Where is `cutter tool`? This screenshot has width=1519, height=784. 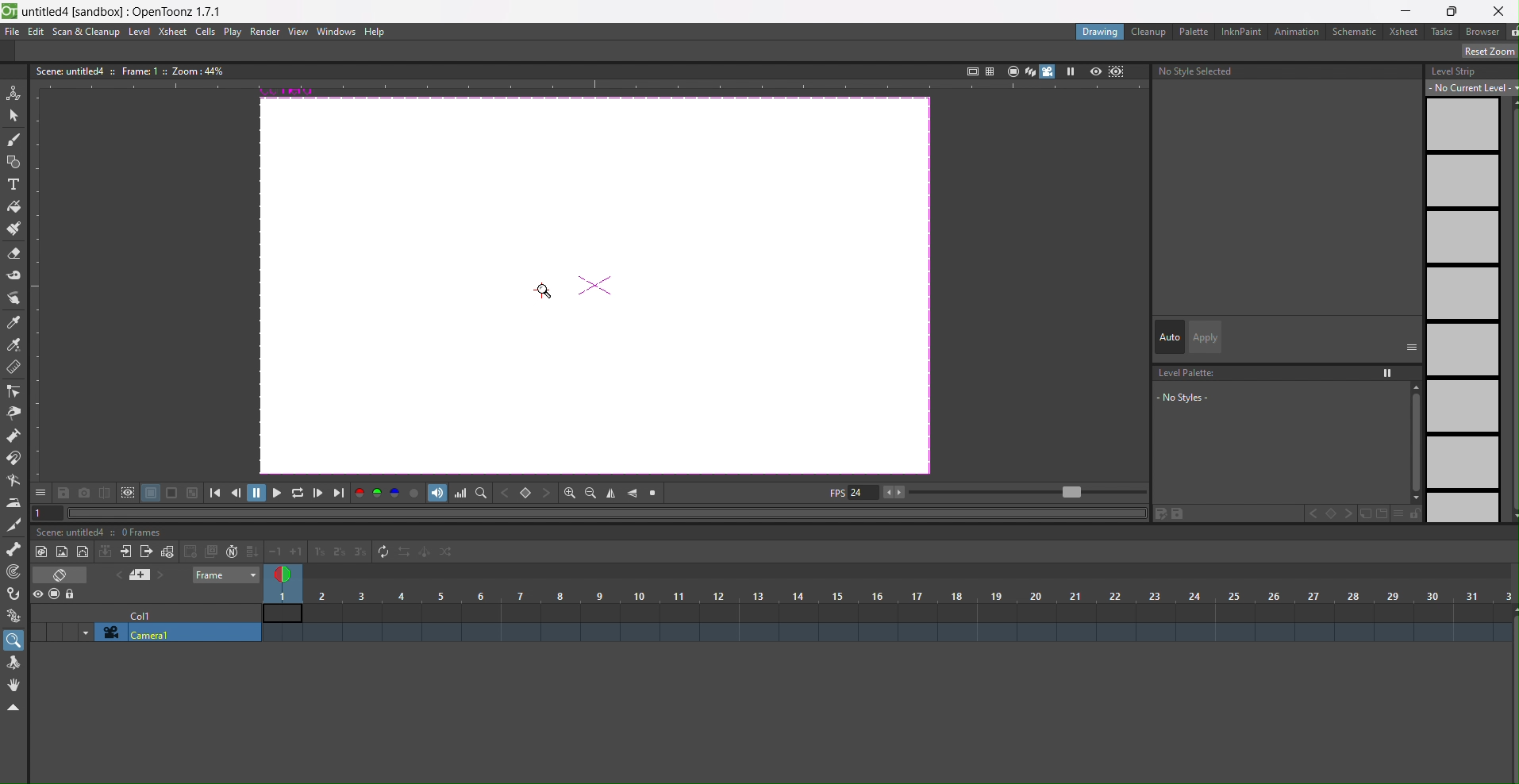
cutter tool is located at coordinates (14, 525).